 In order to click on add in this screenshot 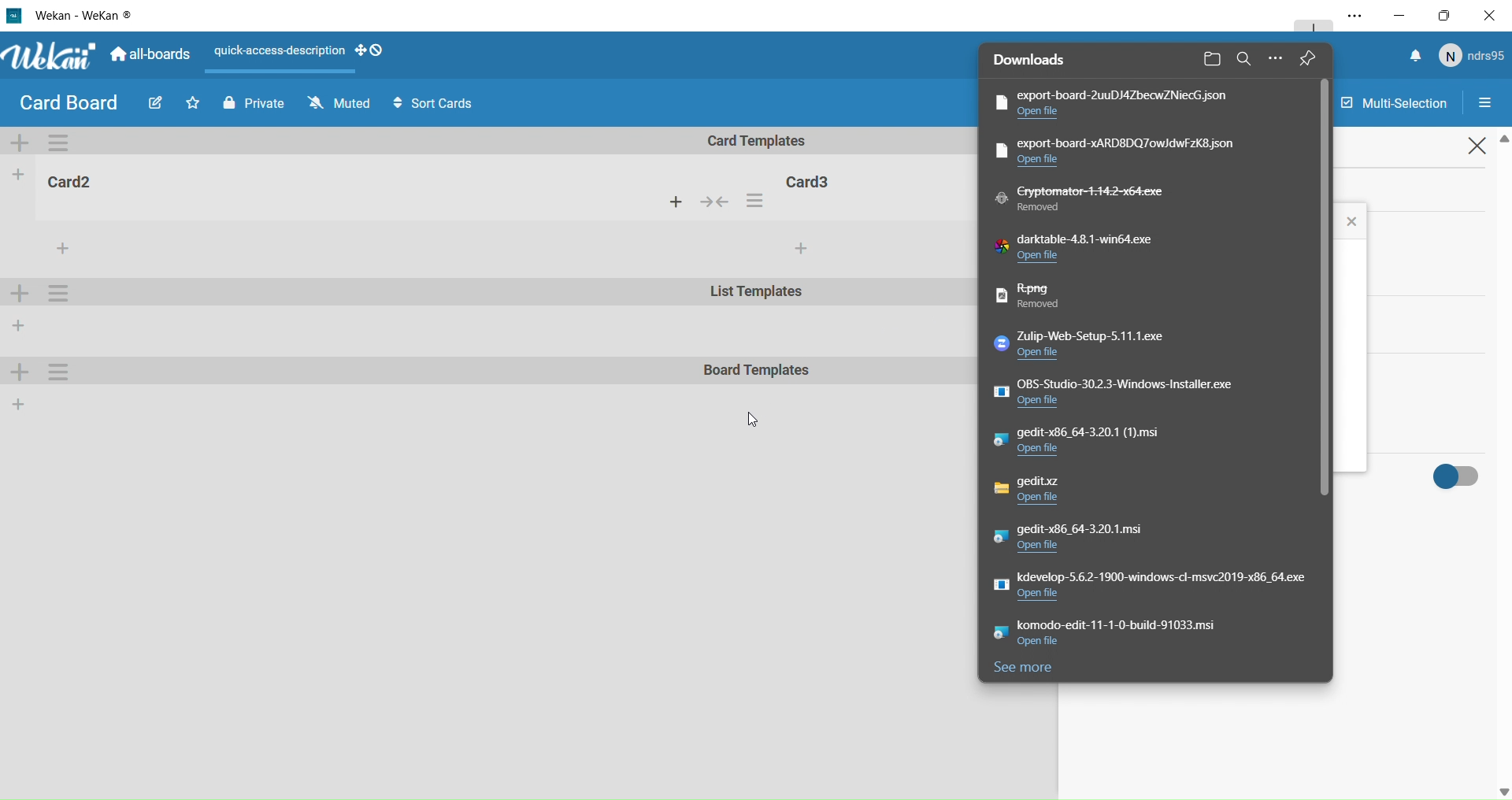, I will do `click(800, 249)`.